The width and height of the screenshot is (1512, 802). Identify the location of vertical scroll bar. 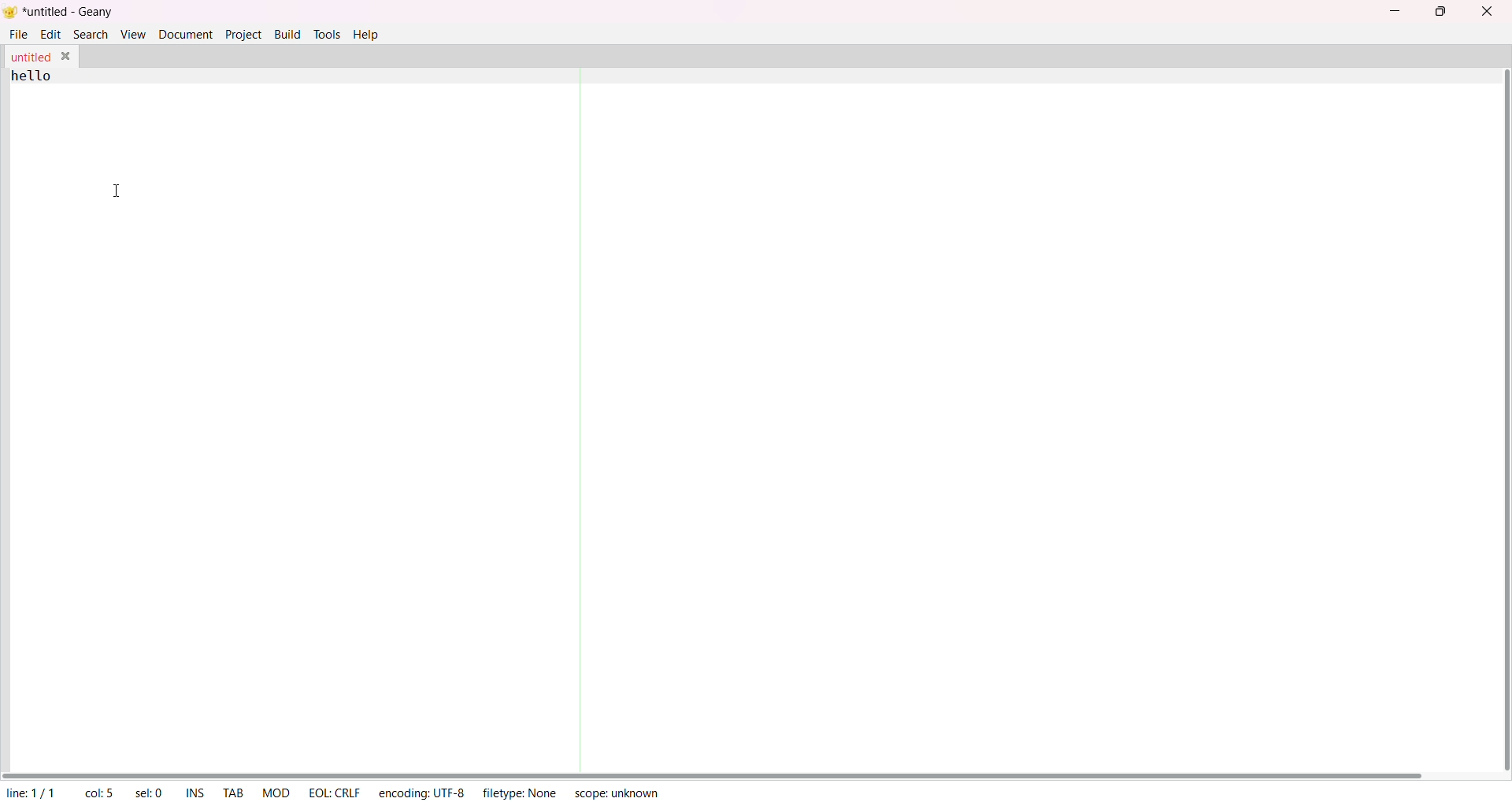
(1502, 414).